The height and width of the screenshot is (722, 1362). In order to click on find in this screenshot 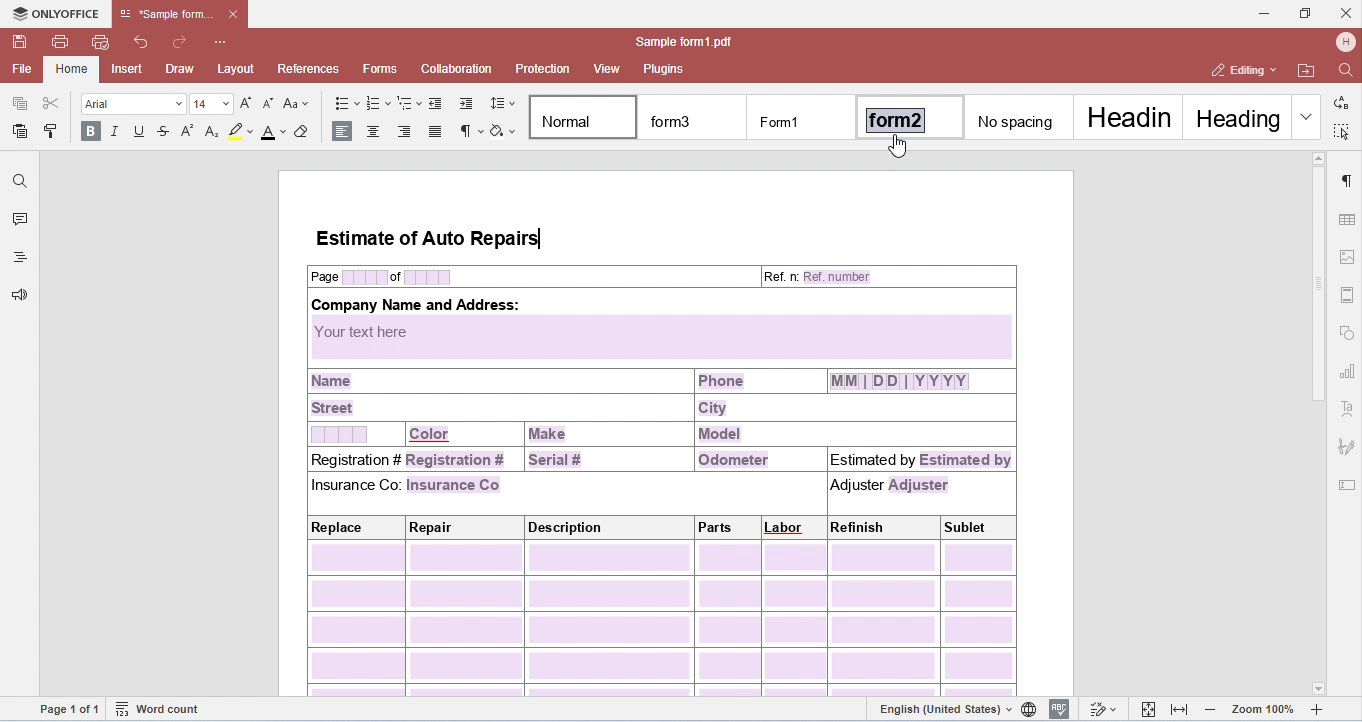, I will do `click(1342, 68)`.